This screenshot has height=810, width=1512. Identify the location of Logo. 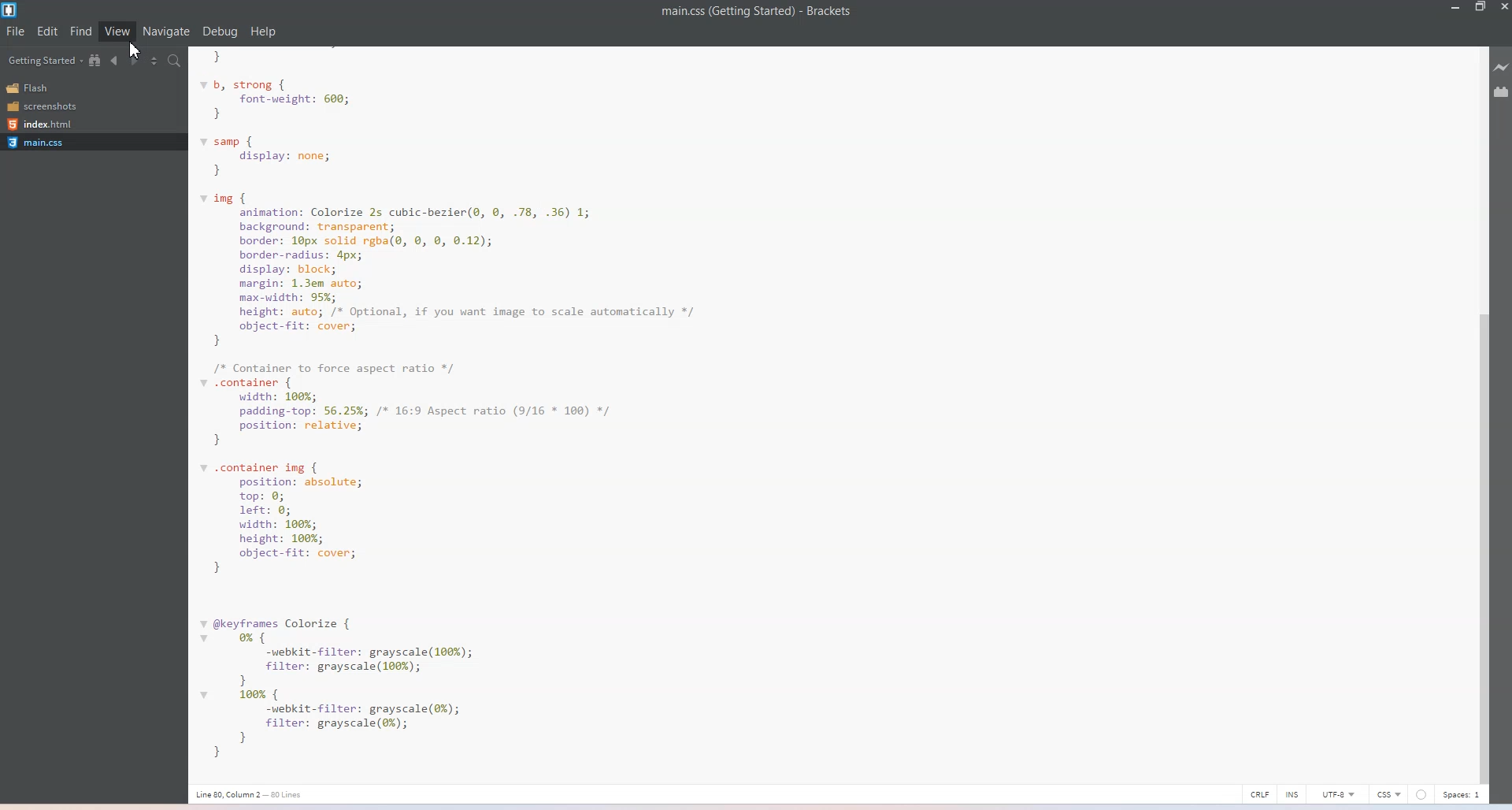
(11, 10).